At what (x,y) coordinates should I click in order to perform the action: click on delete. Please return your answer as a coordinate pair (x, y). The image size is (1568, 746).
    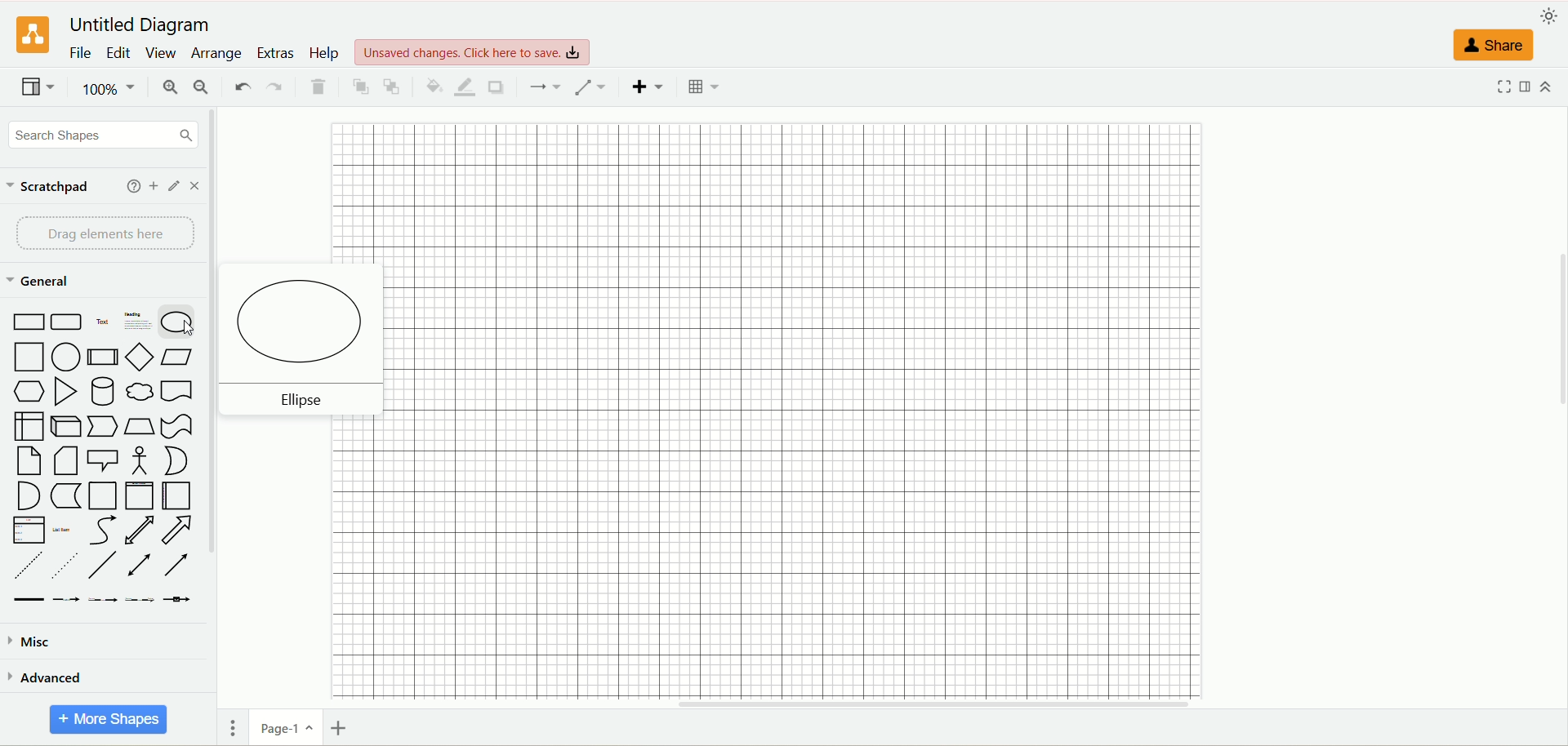
    Looking at the image, I should click on (315, 87).